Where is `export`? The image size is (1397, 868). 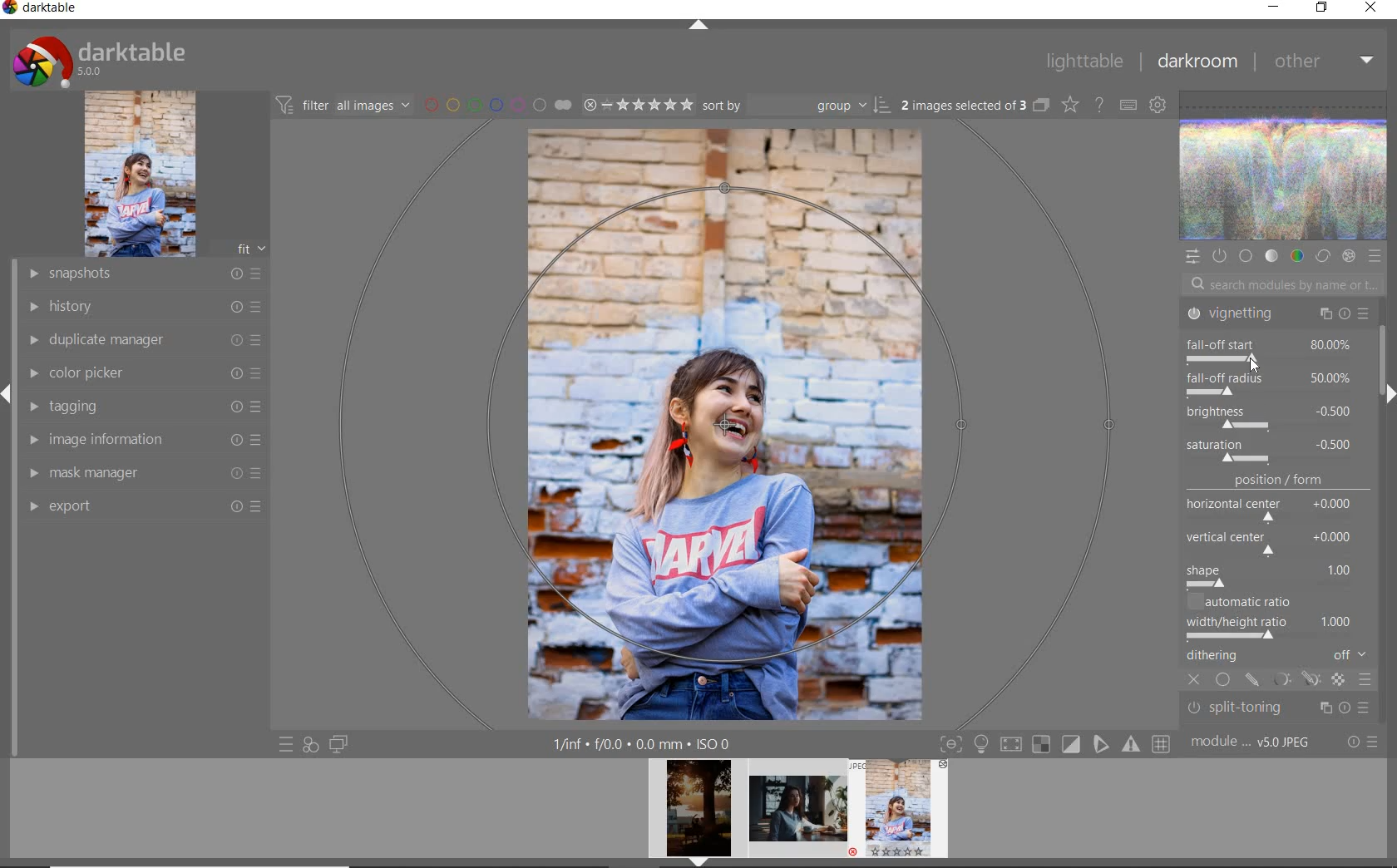 export is located at coordinates (143, 506).